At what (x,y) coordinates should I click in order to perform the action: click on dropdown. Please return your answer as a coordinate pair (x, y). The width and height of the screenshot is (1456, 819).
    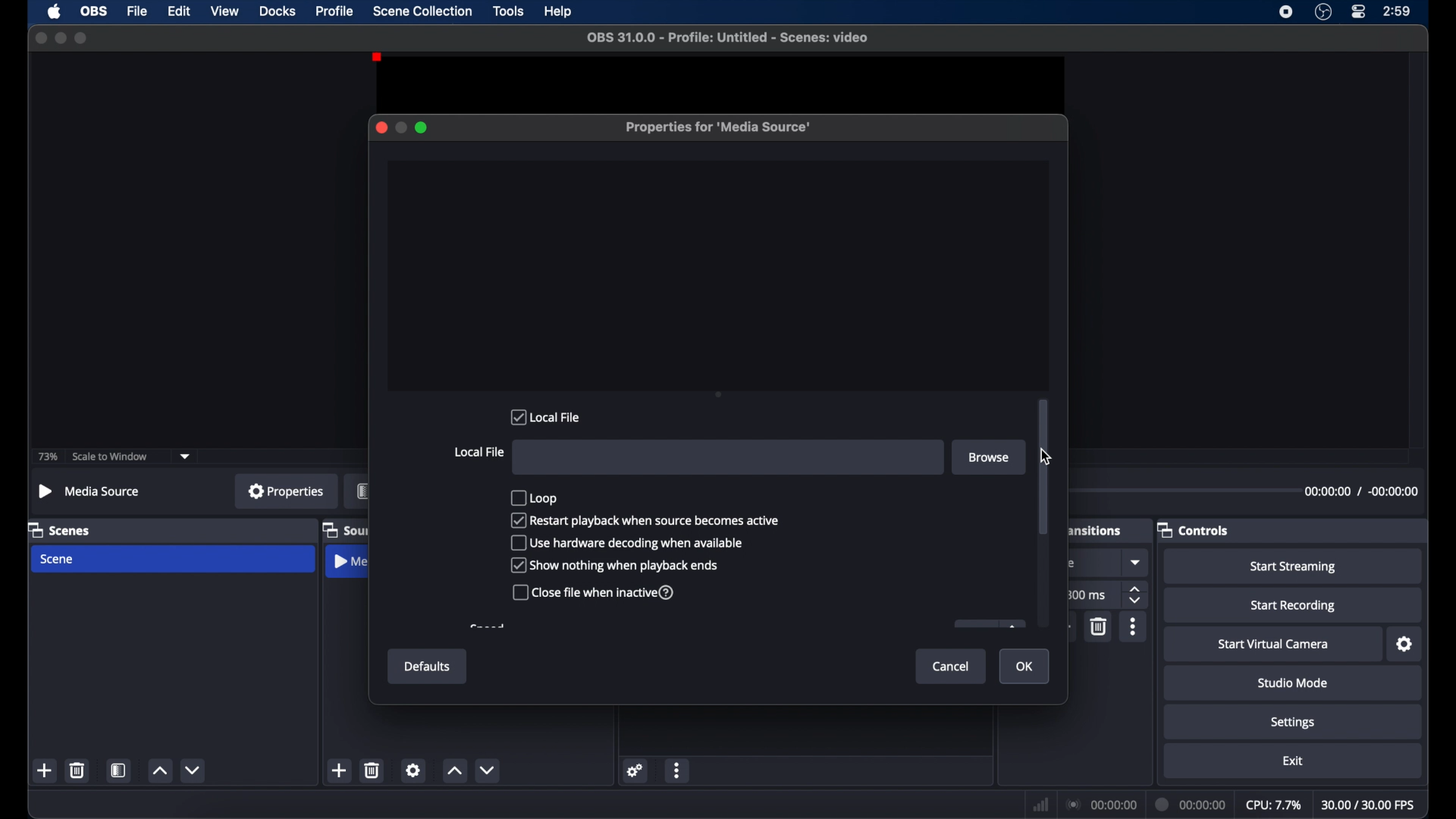
    Looking at the image, I should click on (186, 457).